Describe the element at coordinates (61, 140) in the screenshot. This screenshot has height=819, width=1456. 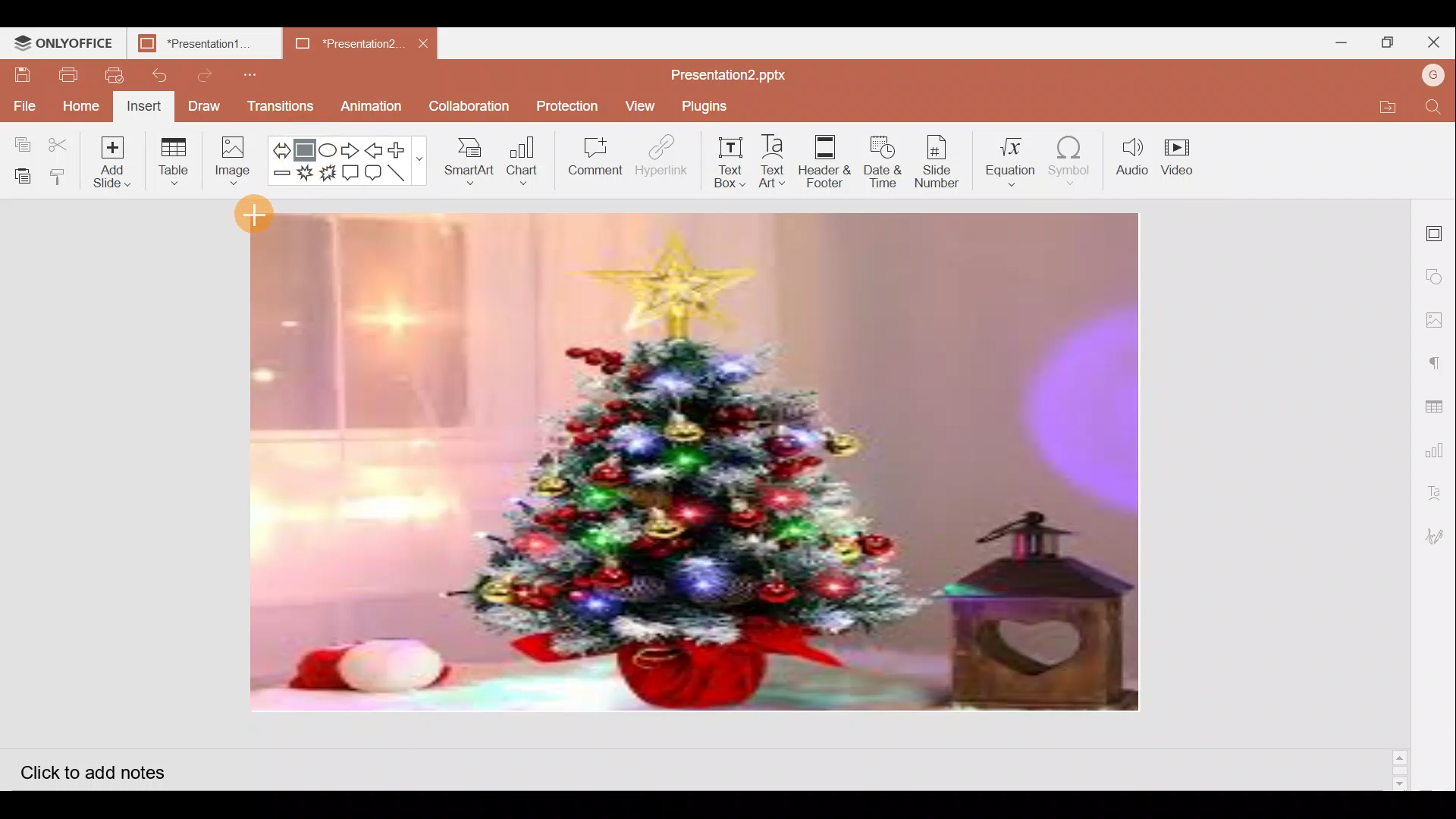
I see `Cut` at that location.